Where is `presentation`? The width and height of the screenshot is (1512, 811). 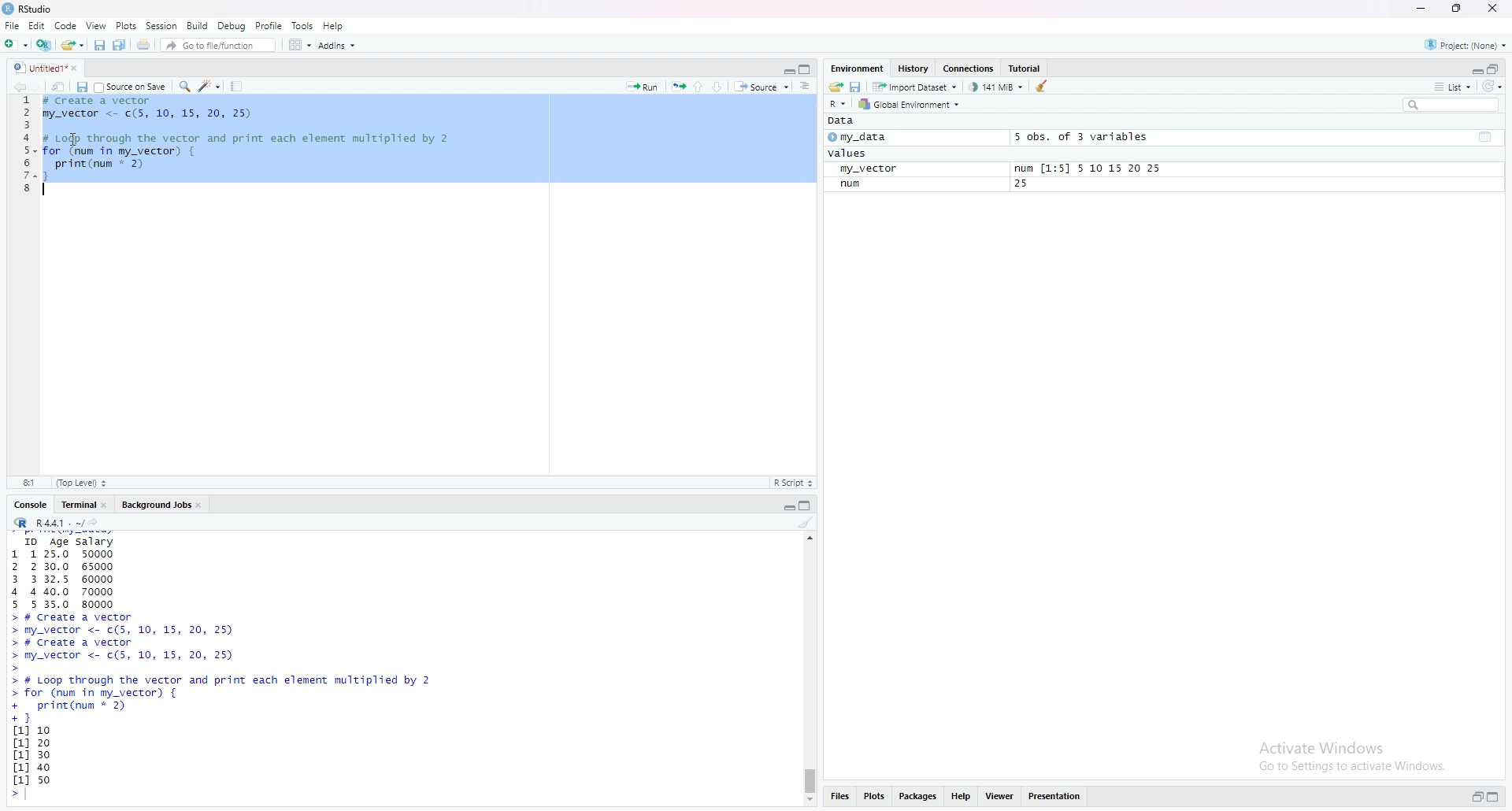 presentation is located at coordinates (1057, 795).